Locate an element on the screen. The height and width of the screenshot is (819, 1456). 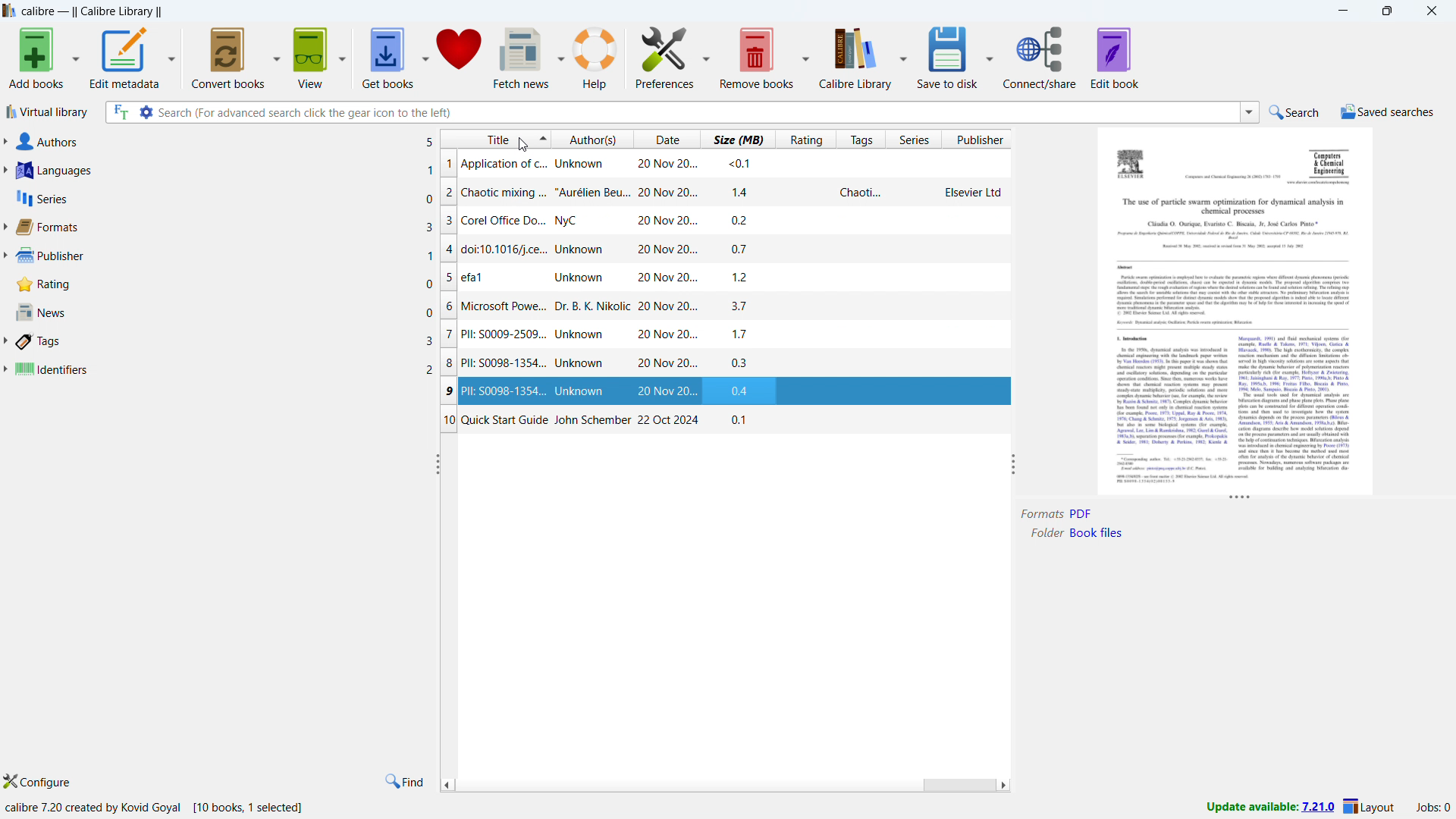
resize is located at coordinates (1241, 498).